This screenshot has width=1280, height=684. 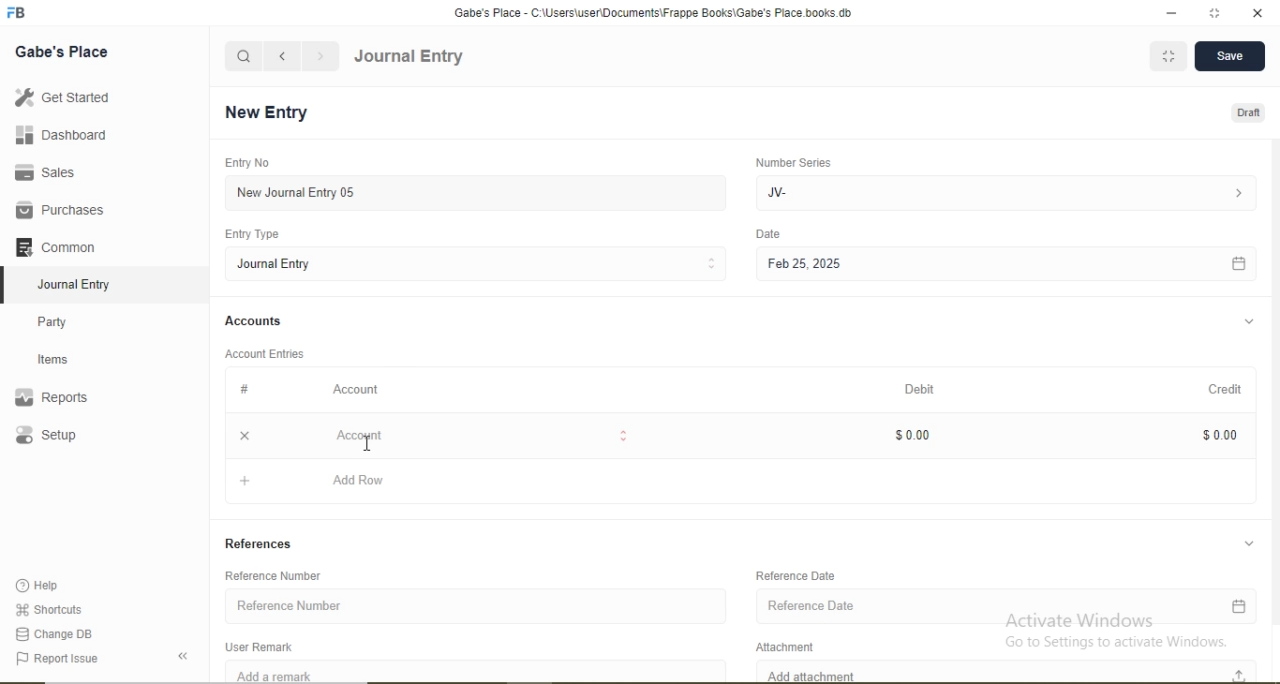 What do you see at coordinates (792, 644) in the screenshot?
I see `Attachment` at bounding box center [792, 644].